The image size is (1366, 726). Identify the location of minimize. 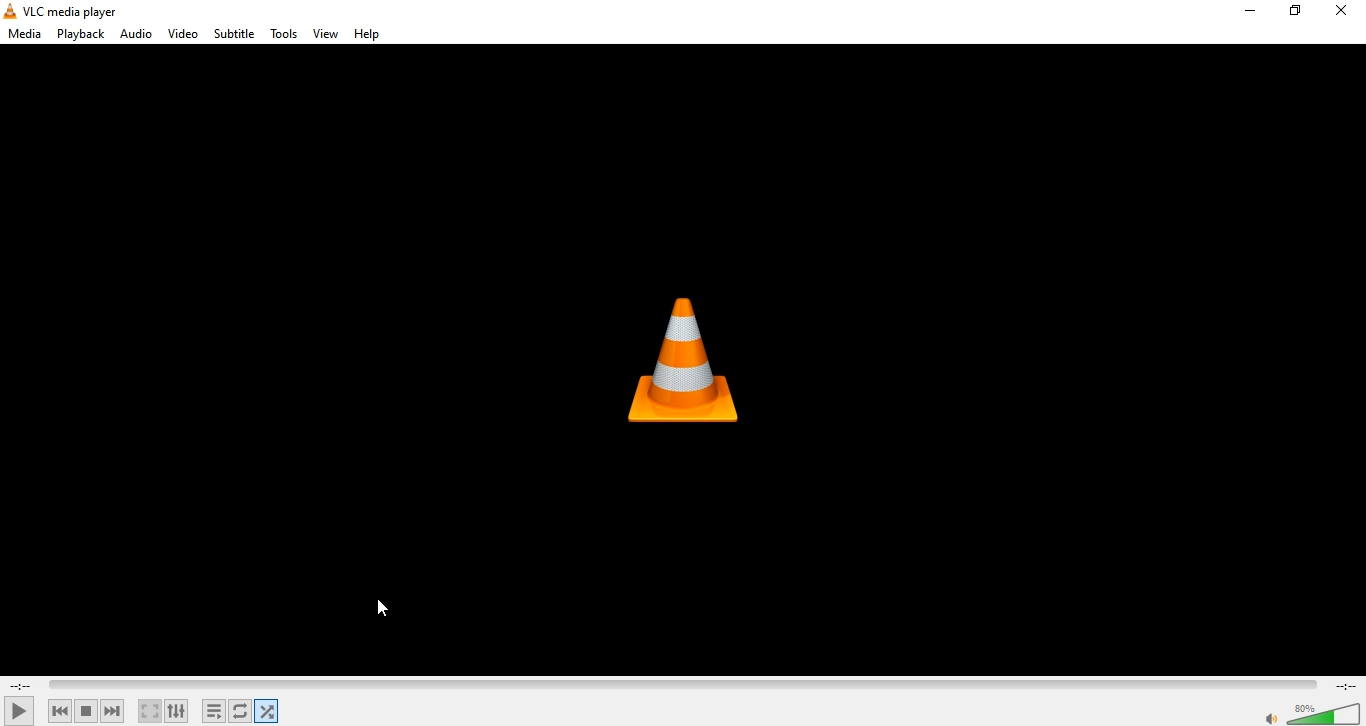
(1251, 9).